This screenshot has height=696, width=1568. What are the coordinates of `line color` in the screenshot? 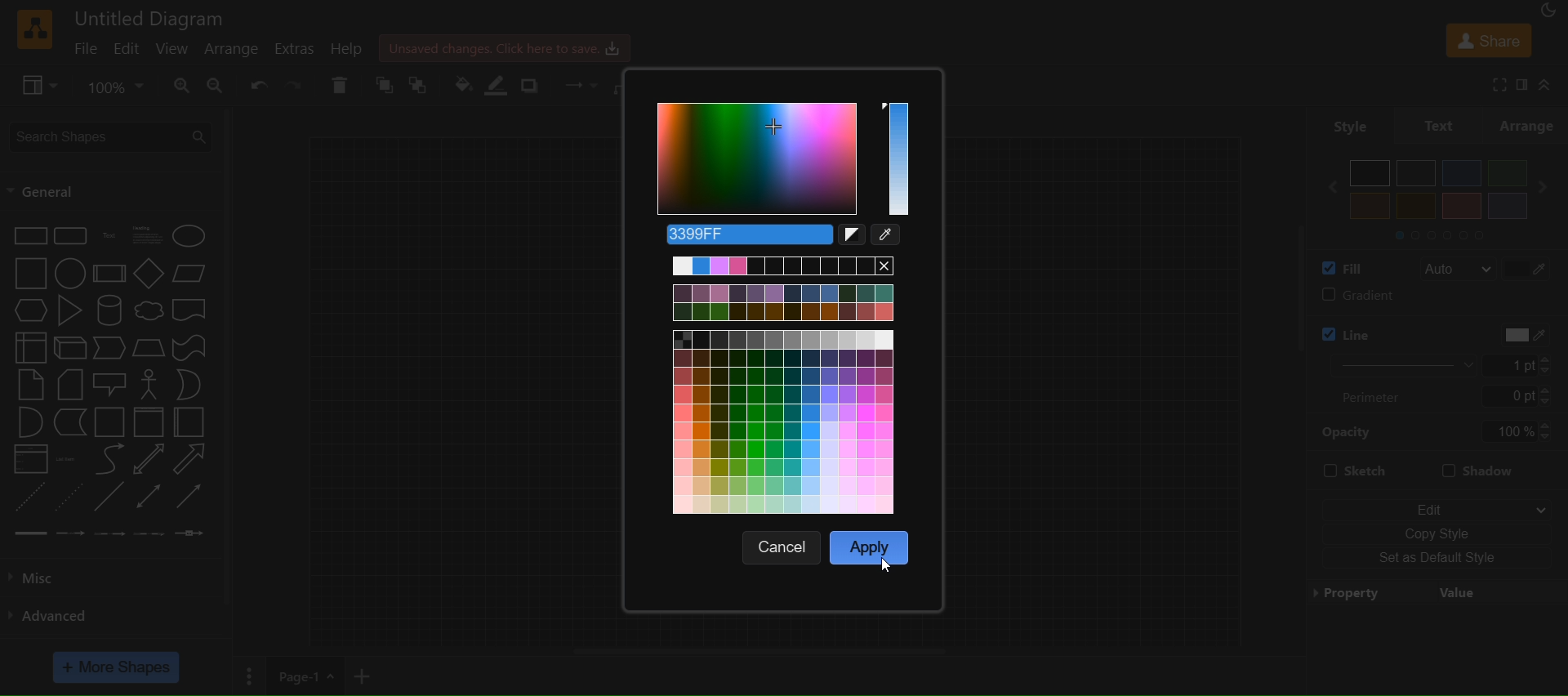 It's located at (501, 85).